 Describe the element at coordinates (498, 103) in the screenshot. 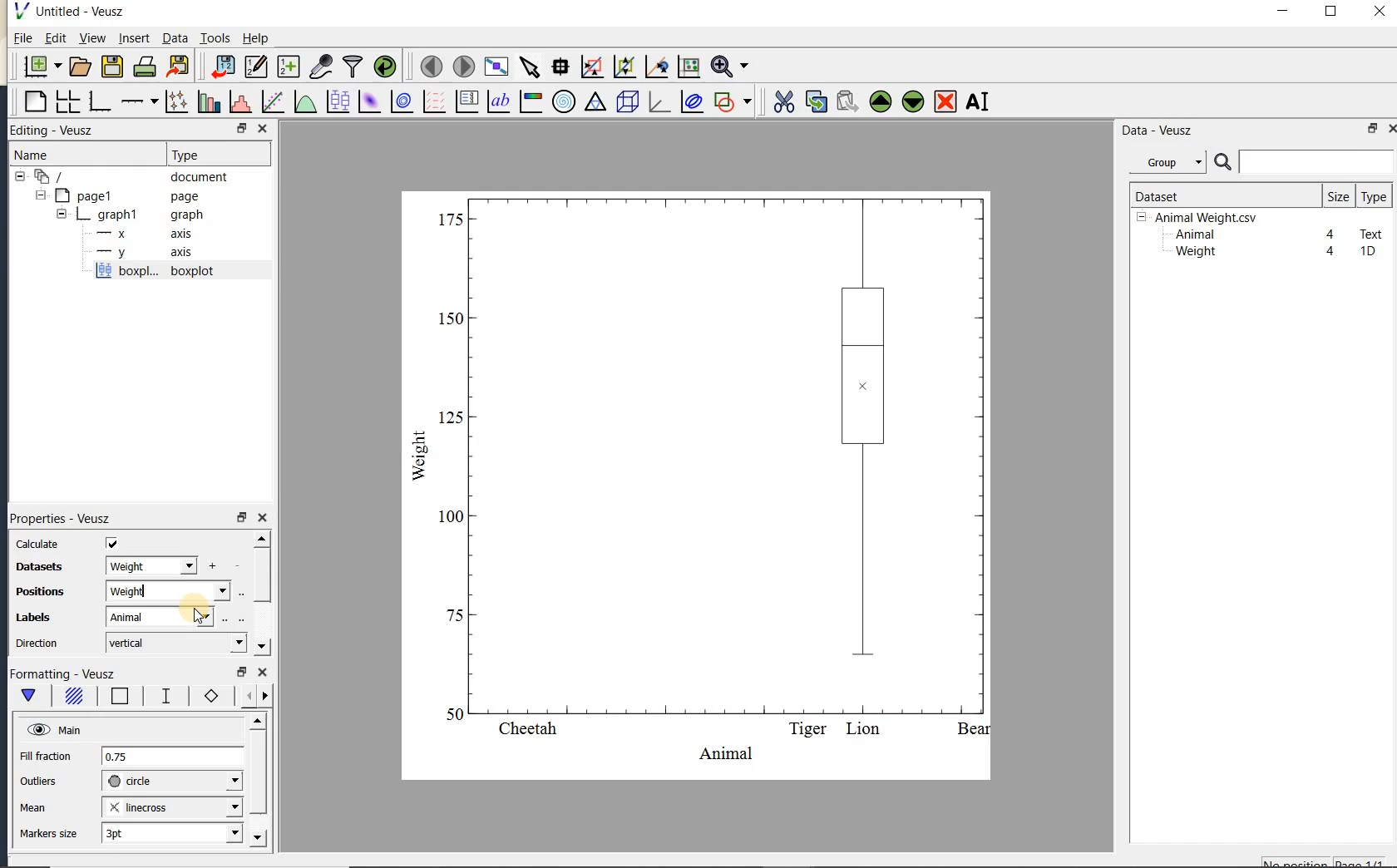

I see `text label` at that location.